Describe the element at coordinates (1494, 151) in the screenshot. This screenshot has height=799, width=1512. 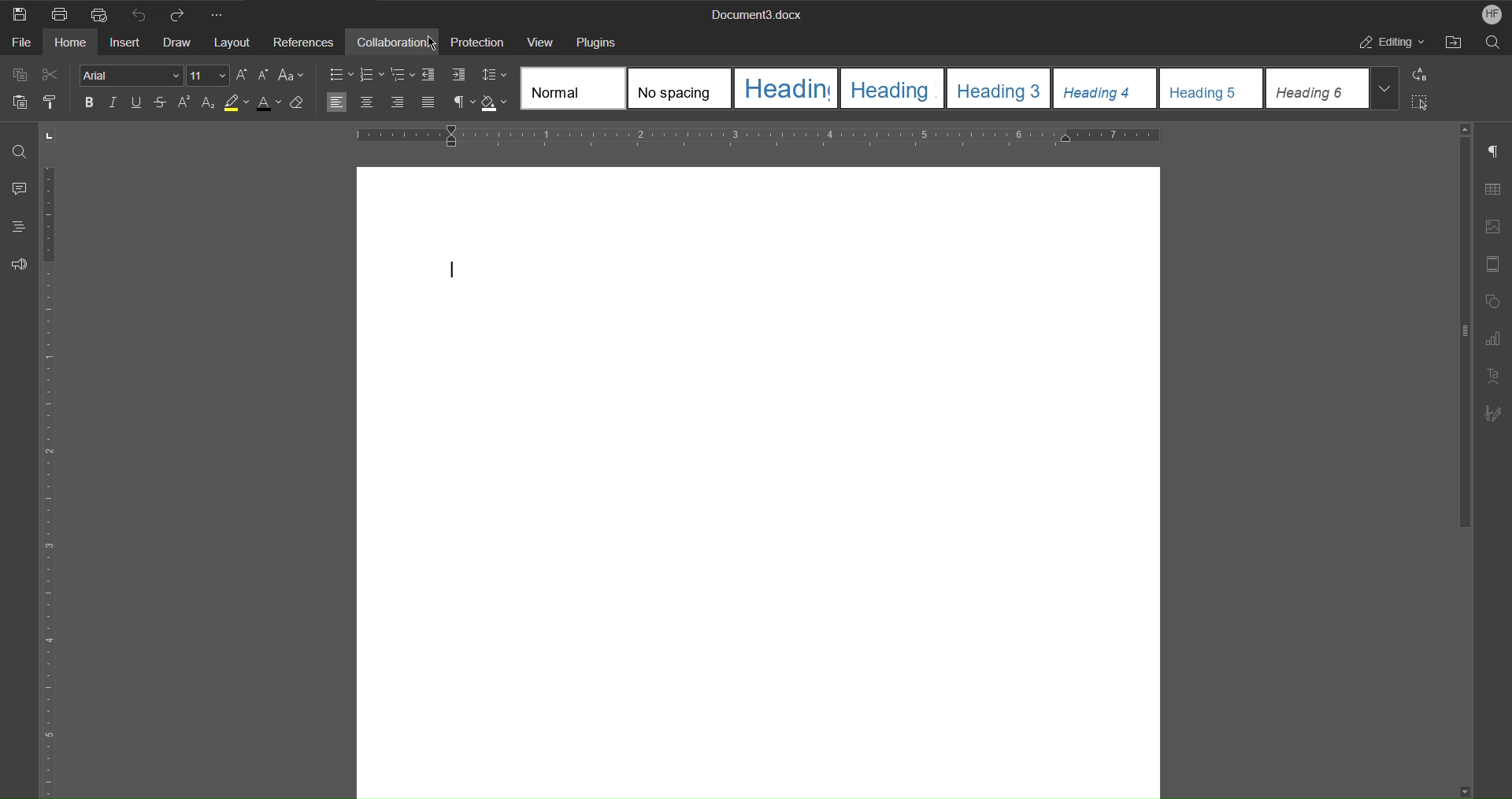
I see `Paragraph Settings` at that location.